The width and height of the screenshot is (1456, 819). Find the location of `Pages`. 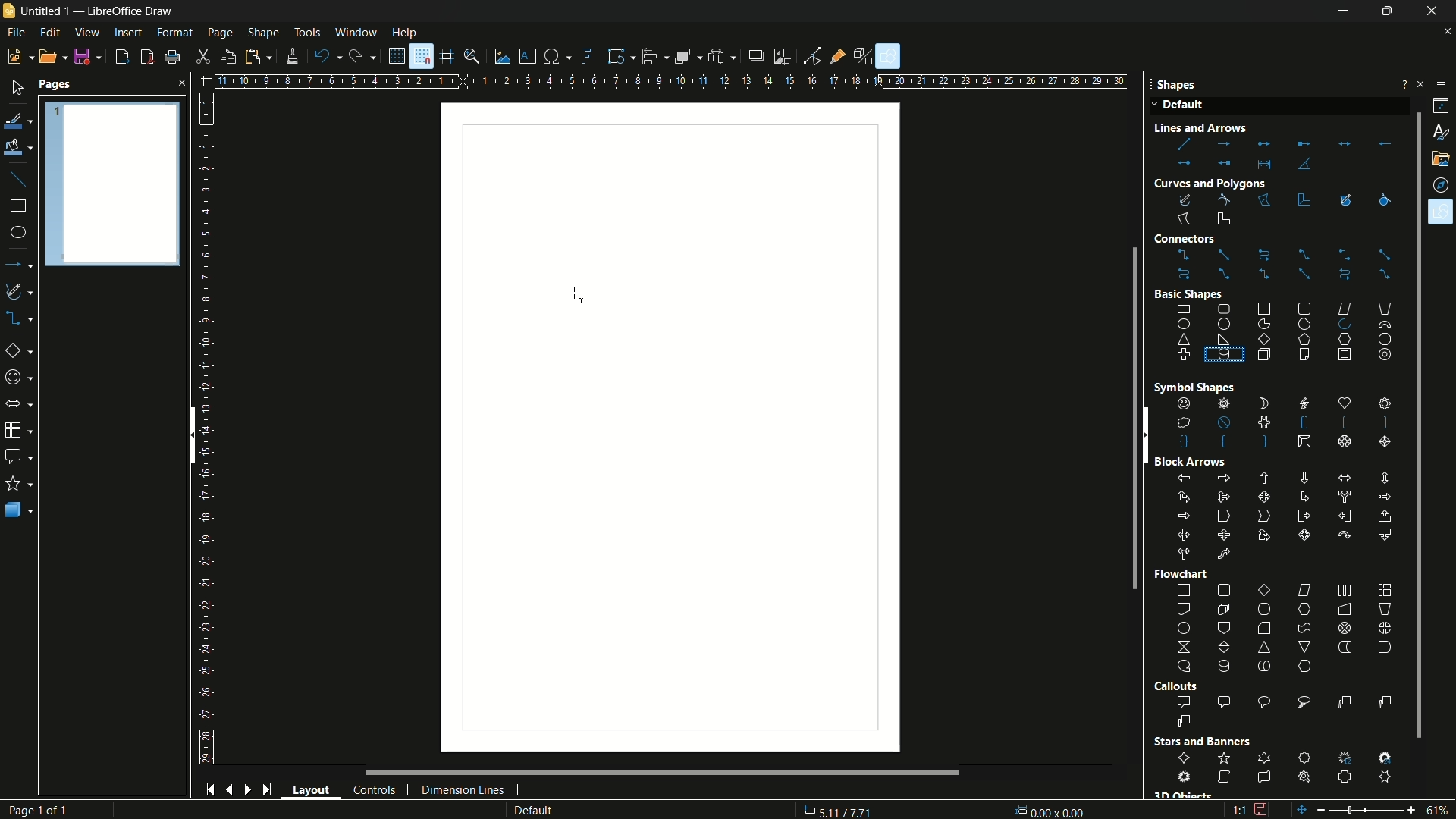

Pages is located at coordinates (112, 182).